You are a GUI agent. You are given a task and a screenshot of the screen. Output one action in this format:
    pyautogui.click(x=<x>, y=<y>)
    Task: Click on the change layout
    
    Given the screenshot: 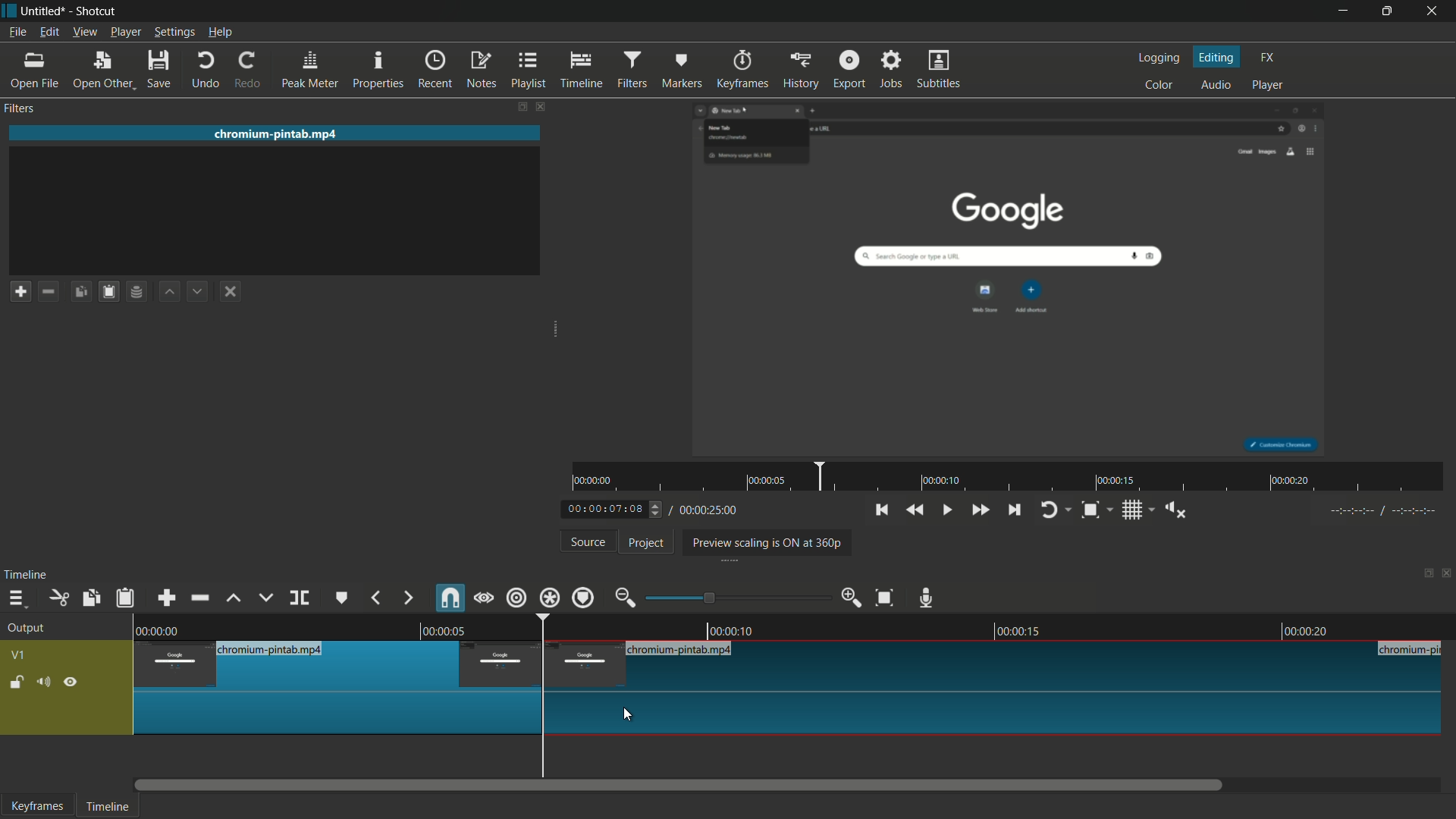 What is the action you would take?
    pyautogui.click(x=1423, y=577)
    